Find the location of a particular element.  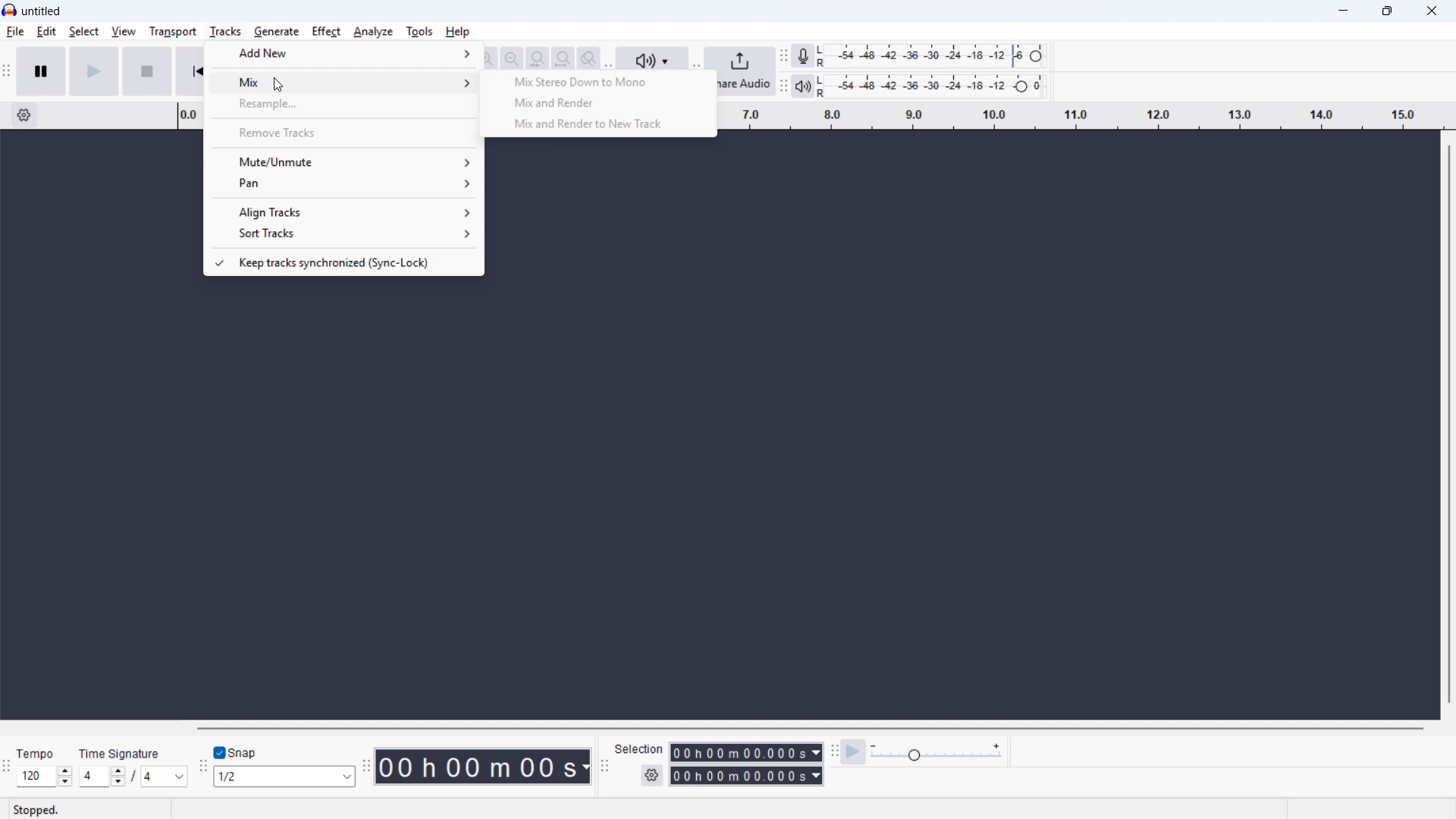

Effect  is located at coordinates (326, 31).